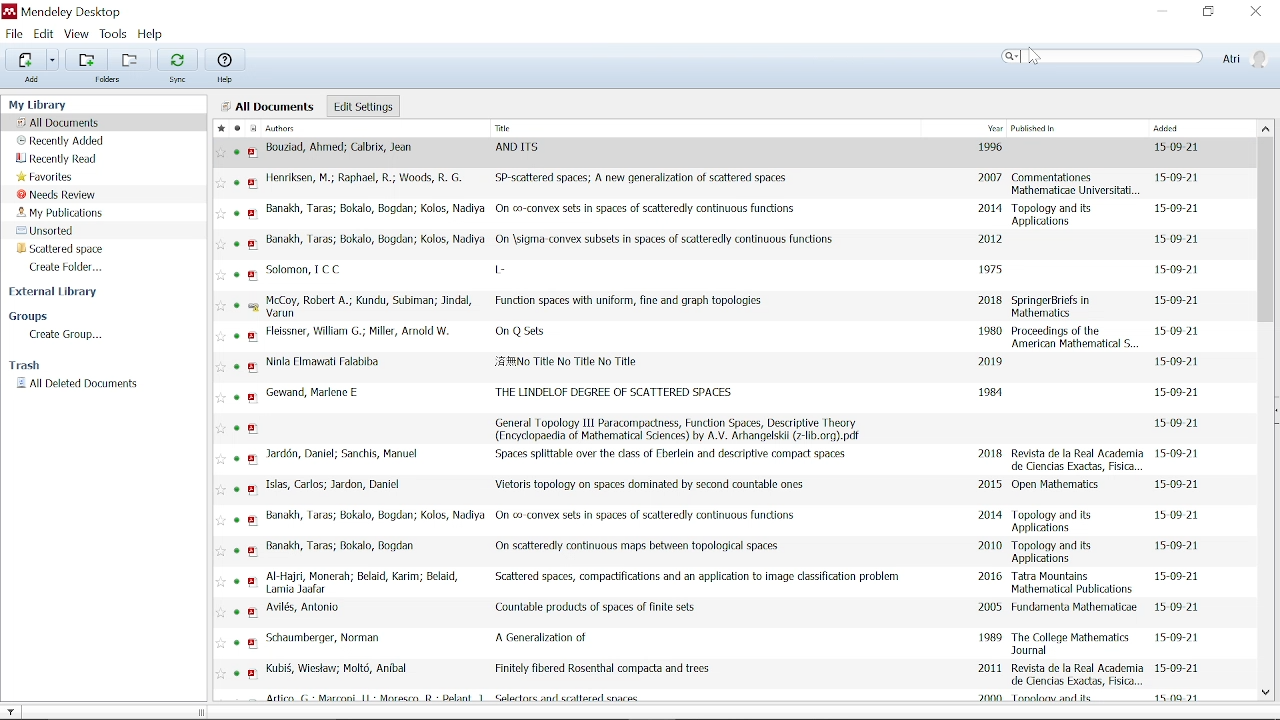  I want to click on Atri, so click(1245, 57).